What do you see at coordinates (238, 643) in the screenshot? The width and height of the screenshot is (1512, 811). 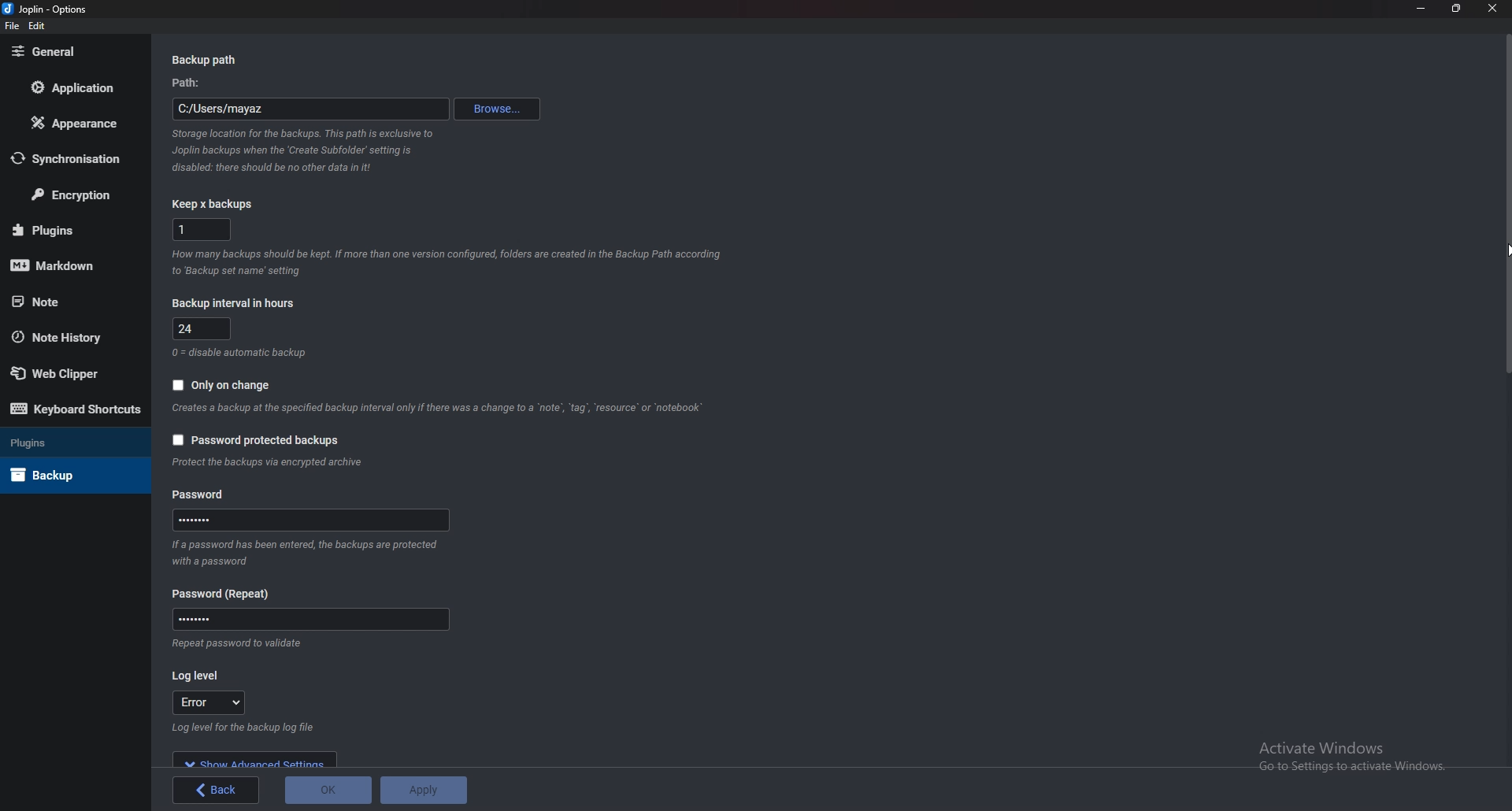 I see `Info` at bounding box center [238, 643].